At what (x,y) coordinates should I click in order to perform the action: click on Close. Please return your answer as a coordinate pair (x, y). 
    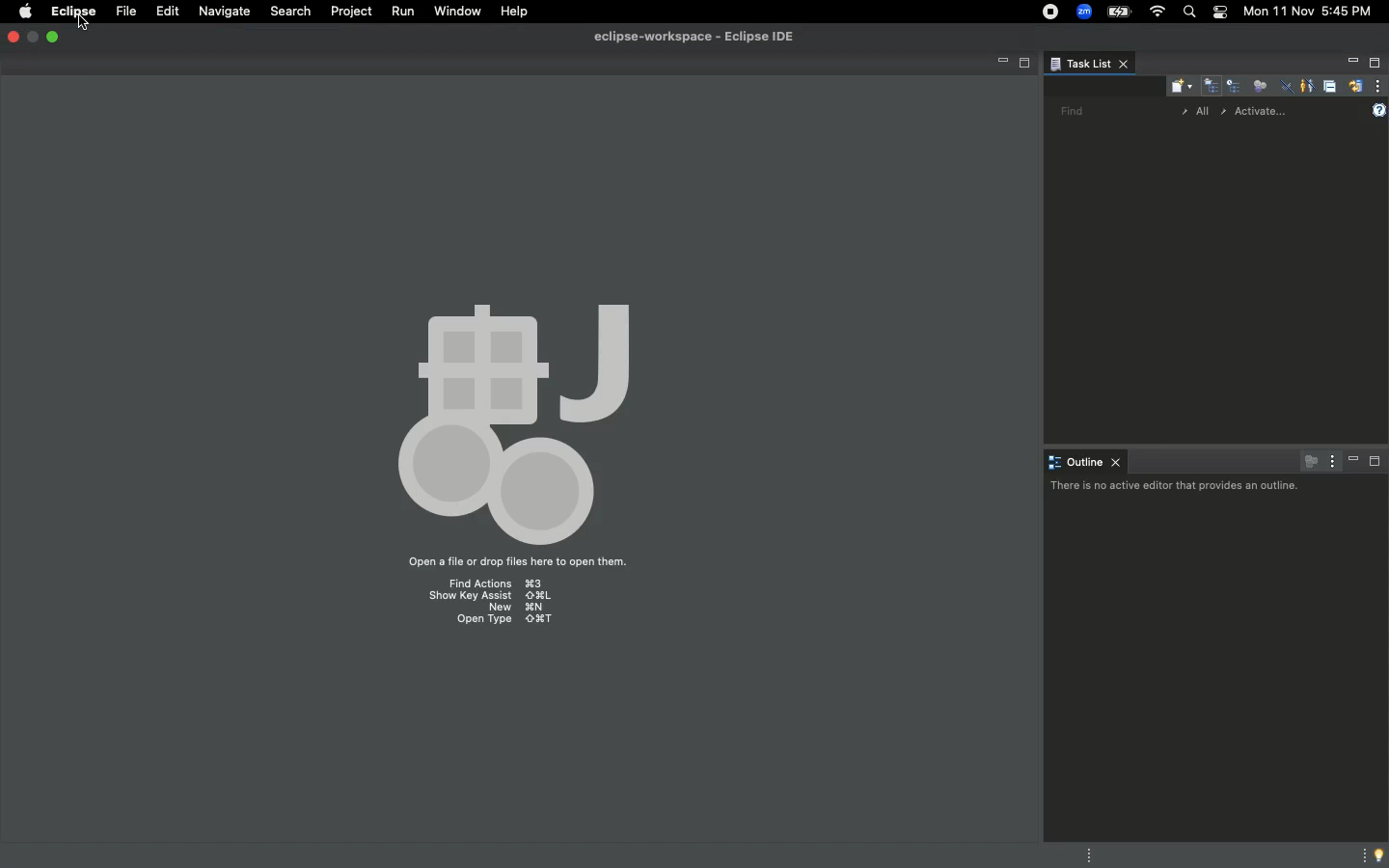
    Looking at the image, I should click on (13, 36).